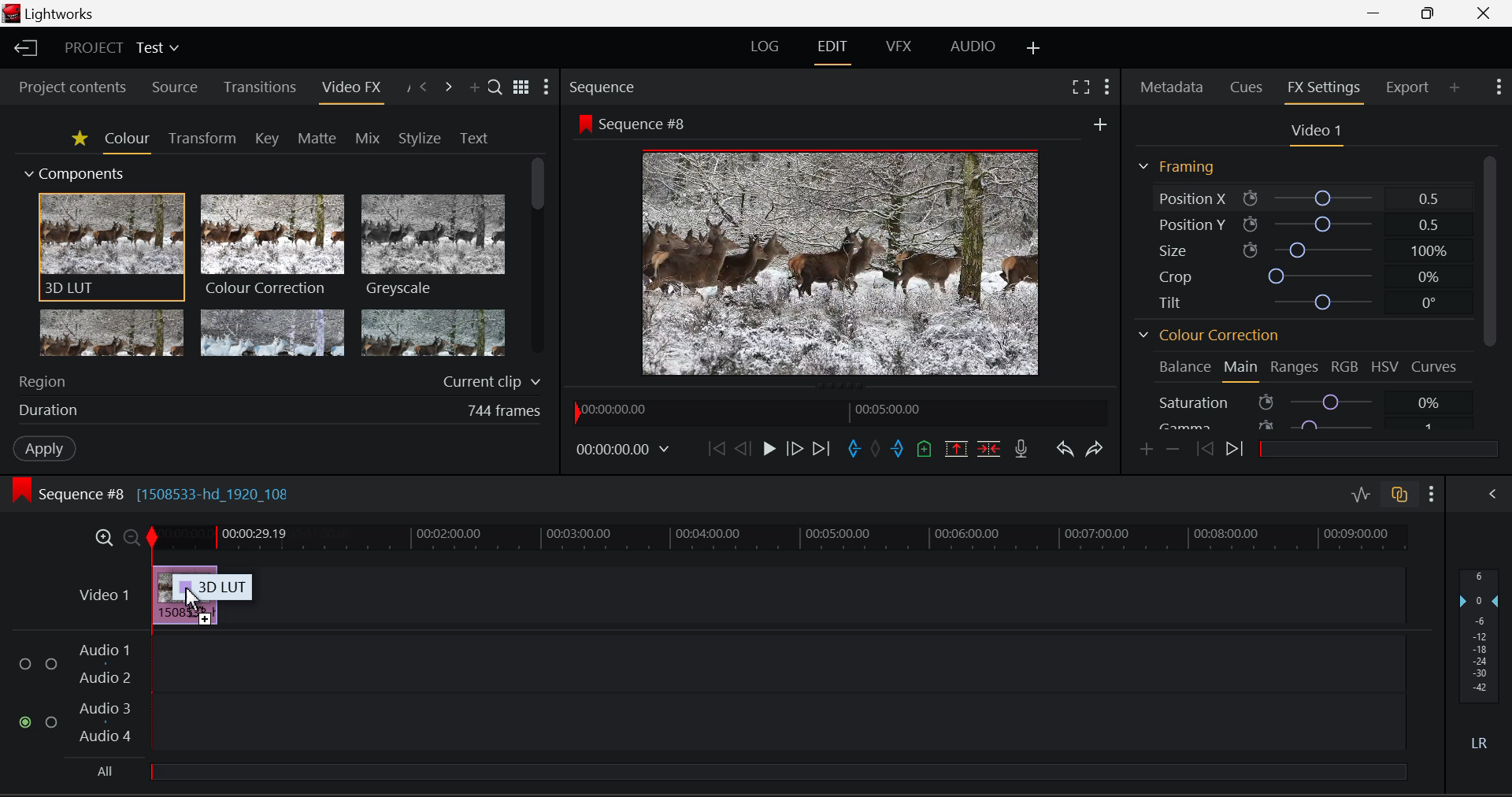  I want to click on Search, so click(493, 83).